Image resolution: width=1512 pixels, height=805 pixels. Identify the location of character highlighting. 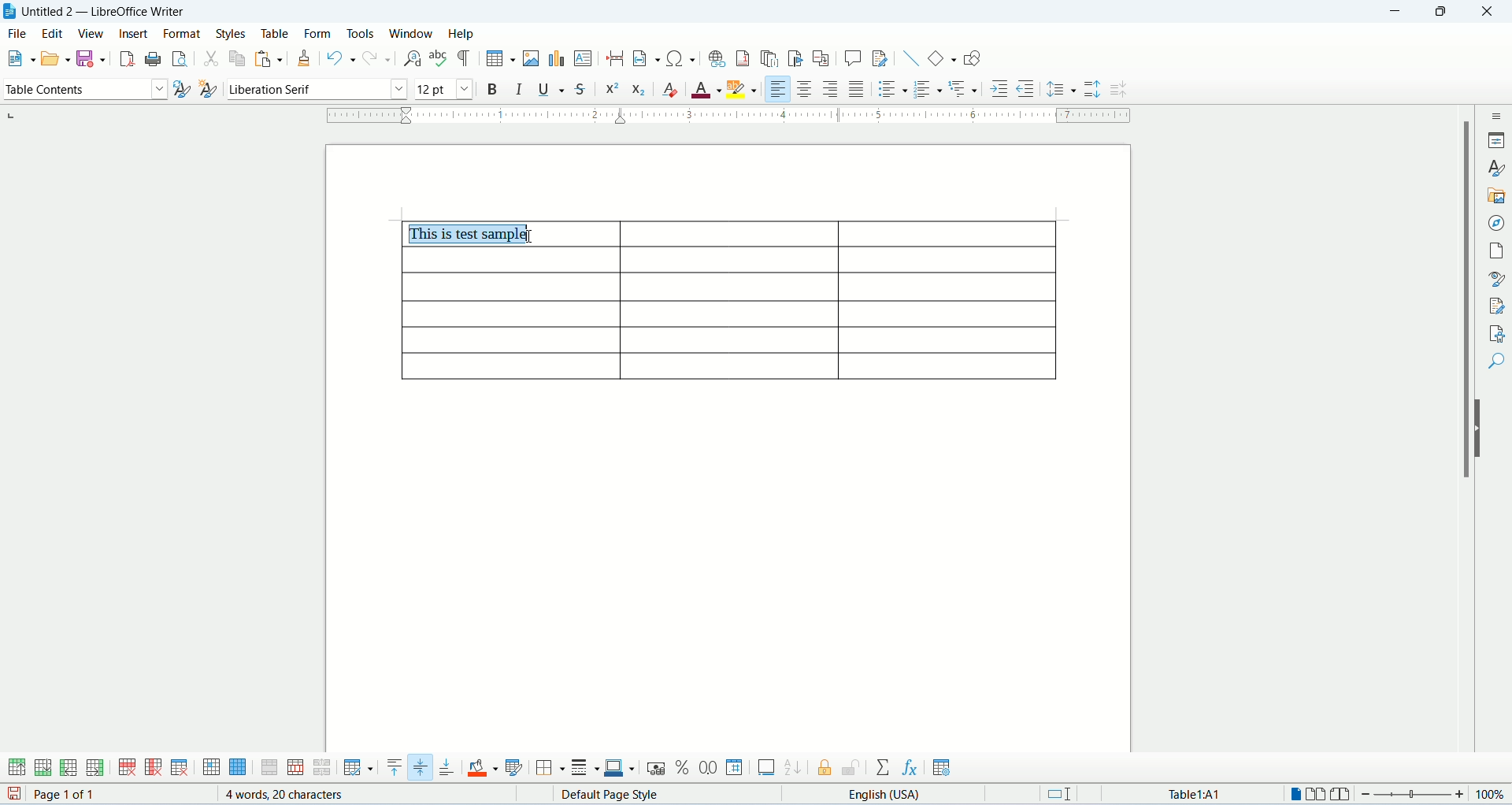
(741, 88).